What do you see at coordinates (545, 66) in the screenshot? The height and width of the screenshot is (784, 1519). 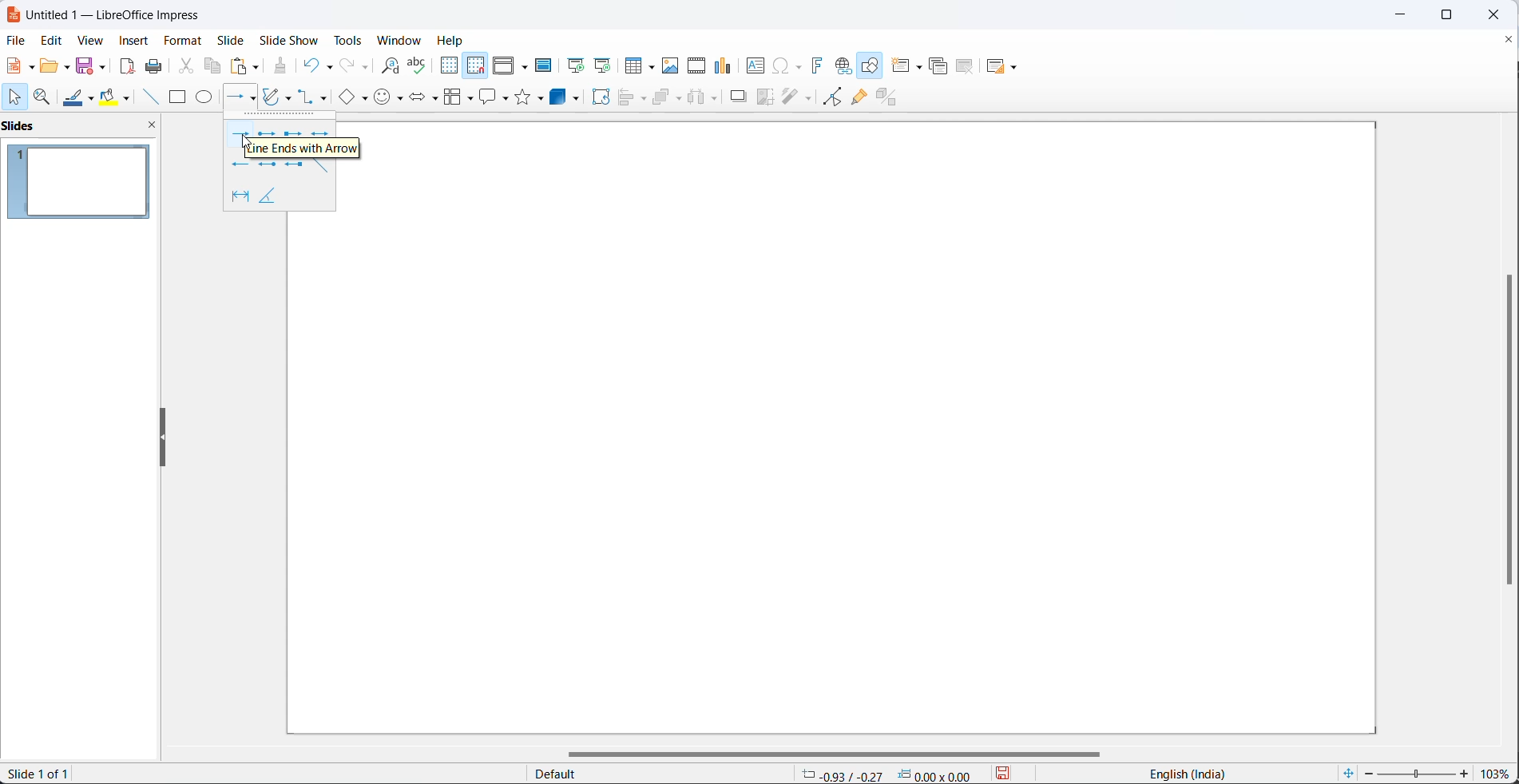 I see `master slide` at bounding box center [545, 66].